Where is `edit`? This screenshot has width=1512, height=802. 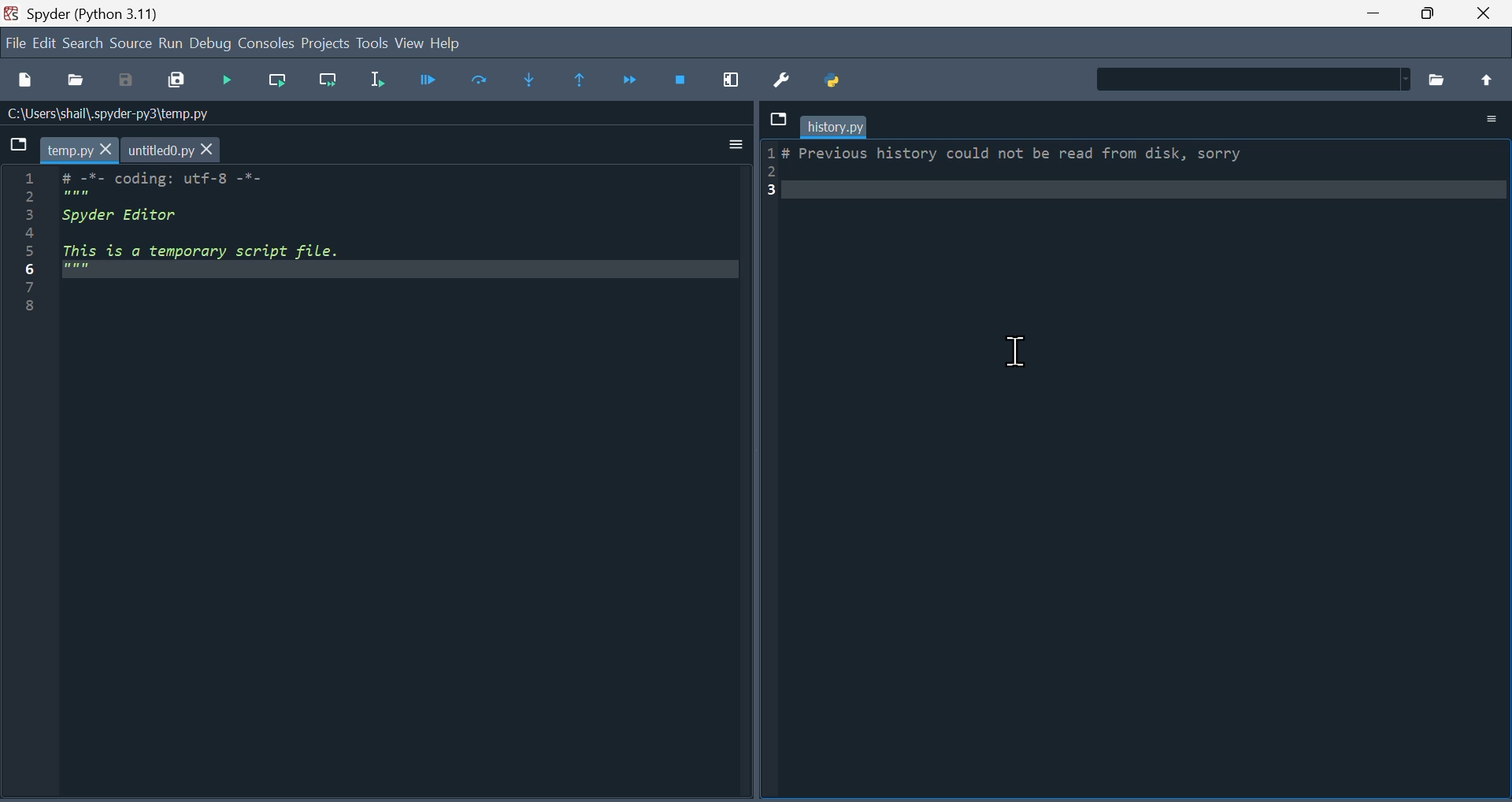 edit is located at coordinates (44, 43).